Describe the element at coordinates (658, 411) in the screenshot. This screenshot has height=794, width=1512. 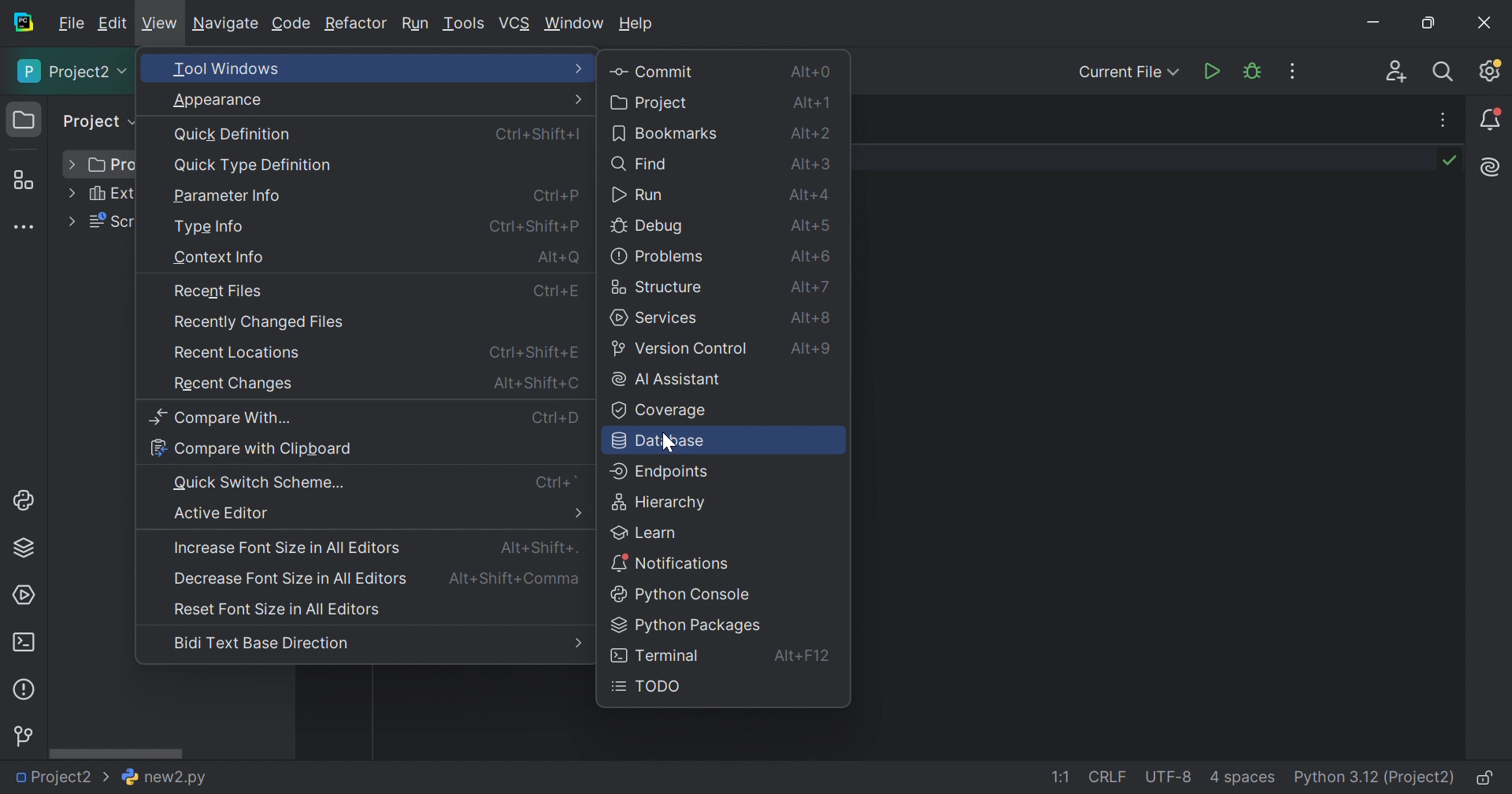
I see `Coverage` at that location.